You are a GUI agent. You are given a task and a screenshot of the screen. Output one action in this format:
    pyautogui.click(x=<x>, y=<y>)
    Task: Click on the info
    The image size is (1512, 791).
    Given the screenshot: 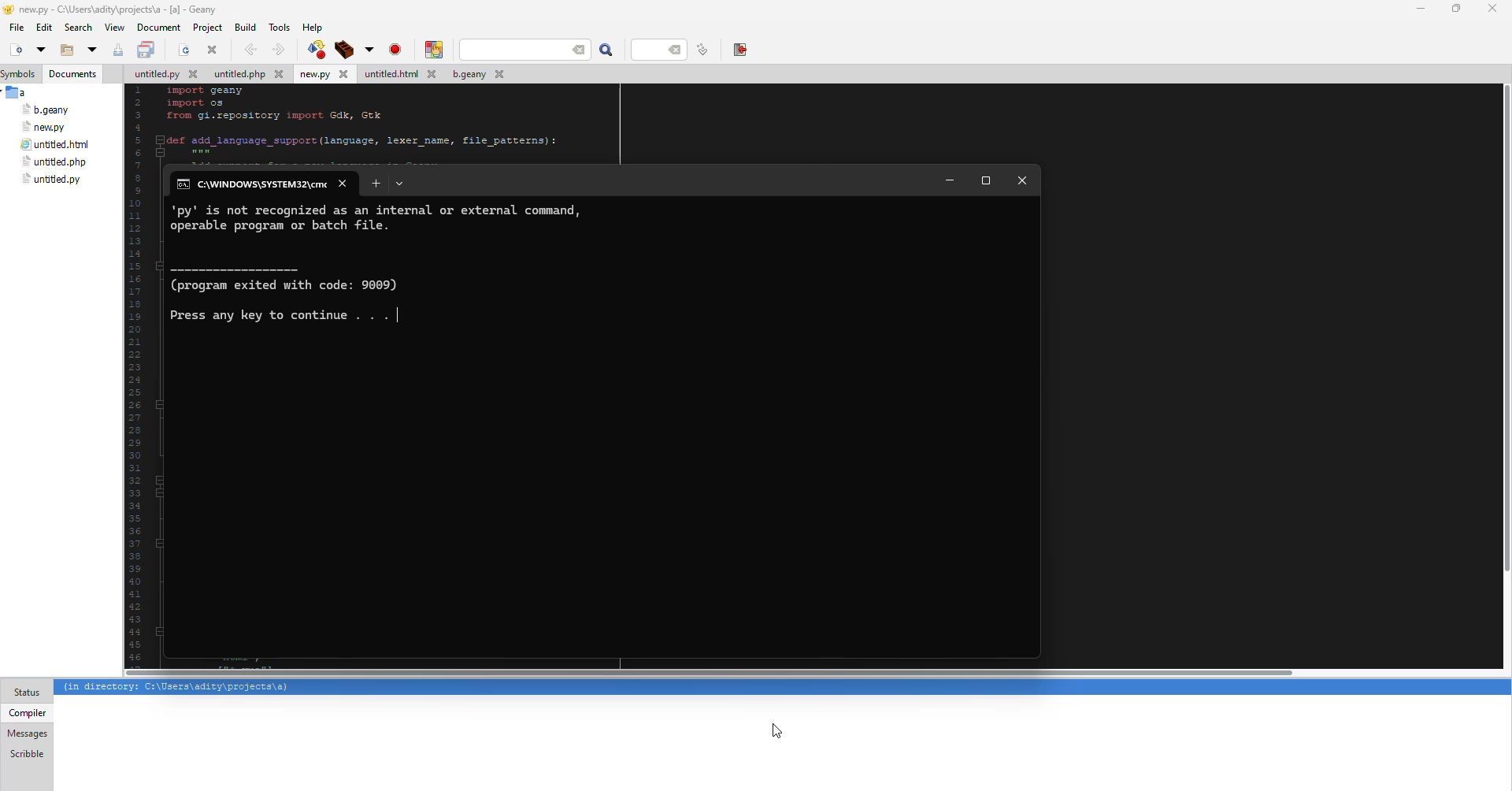 What is the action you would take?
    pyautogui.click(x=285, y=279)
    